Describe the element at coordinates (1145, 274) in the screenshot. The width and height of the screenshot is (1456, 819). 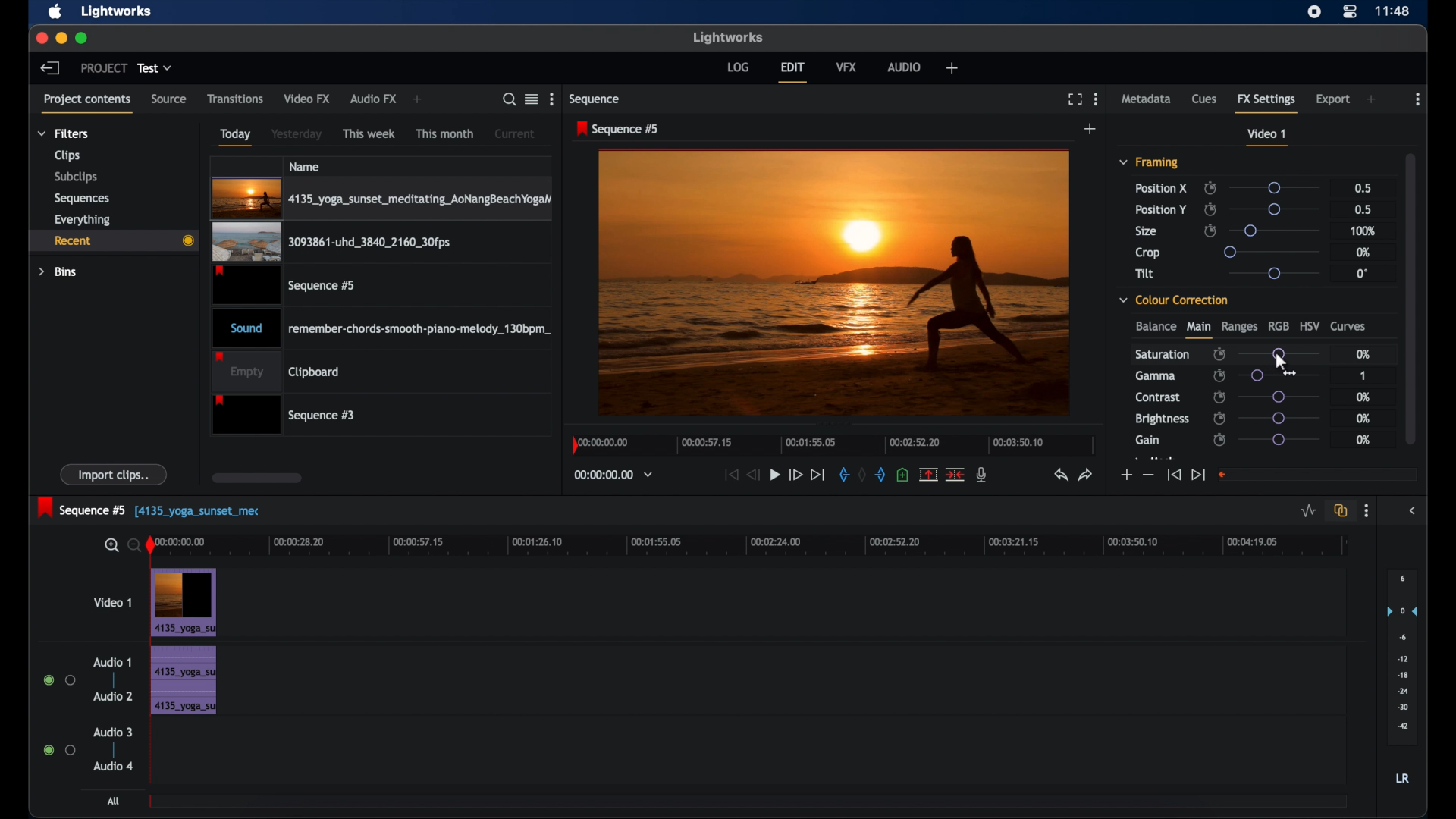
I see `tilt` at that location.